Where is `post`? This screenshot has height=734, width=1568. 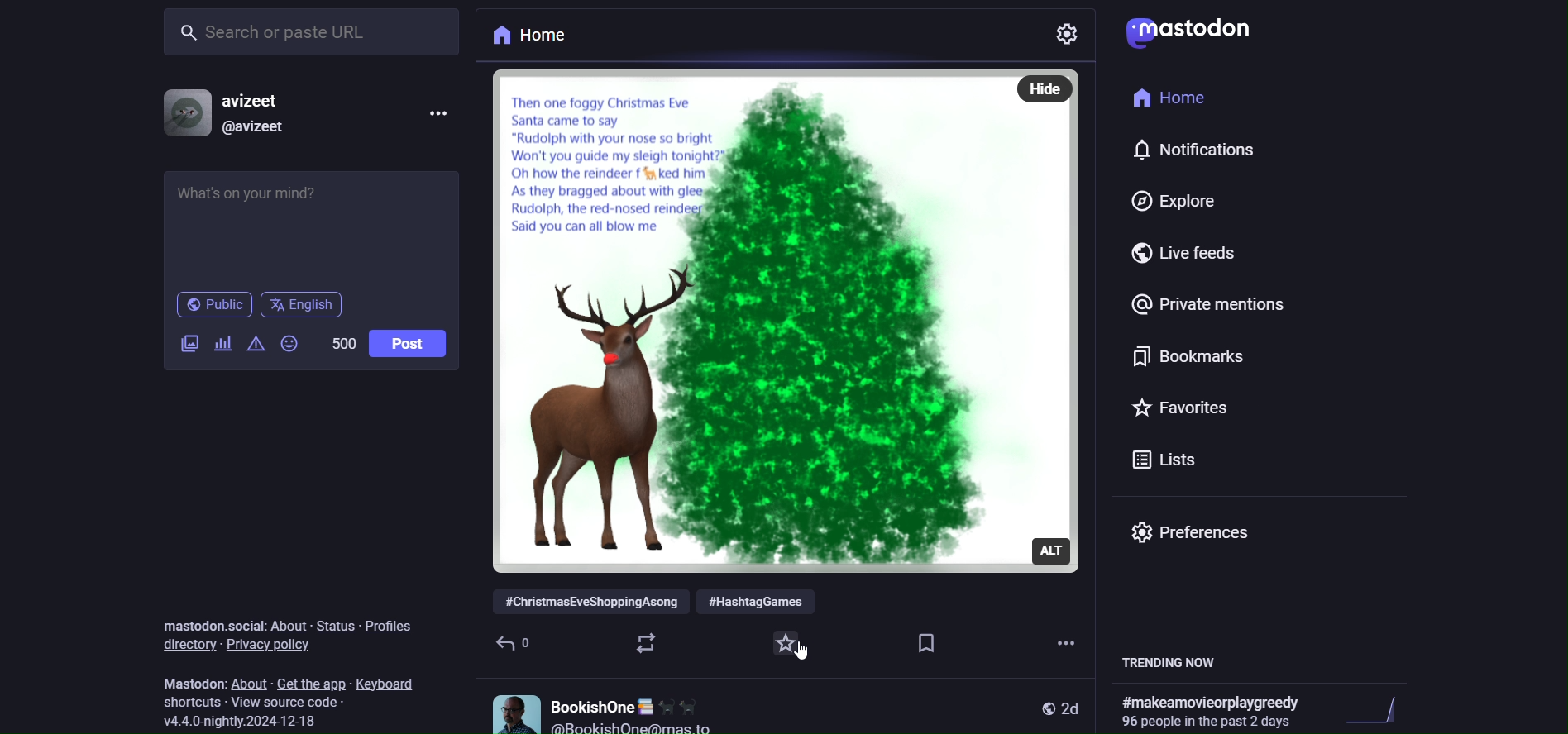
post is located at coordinates (410, 342).